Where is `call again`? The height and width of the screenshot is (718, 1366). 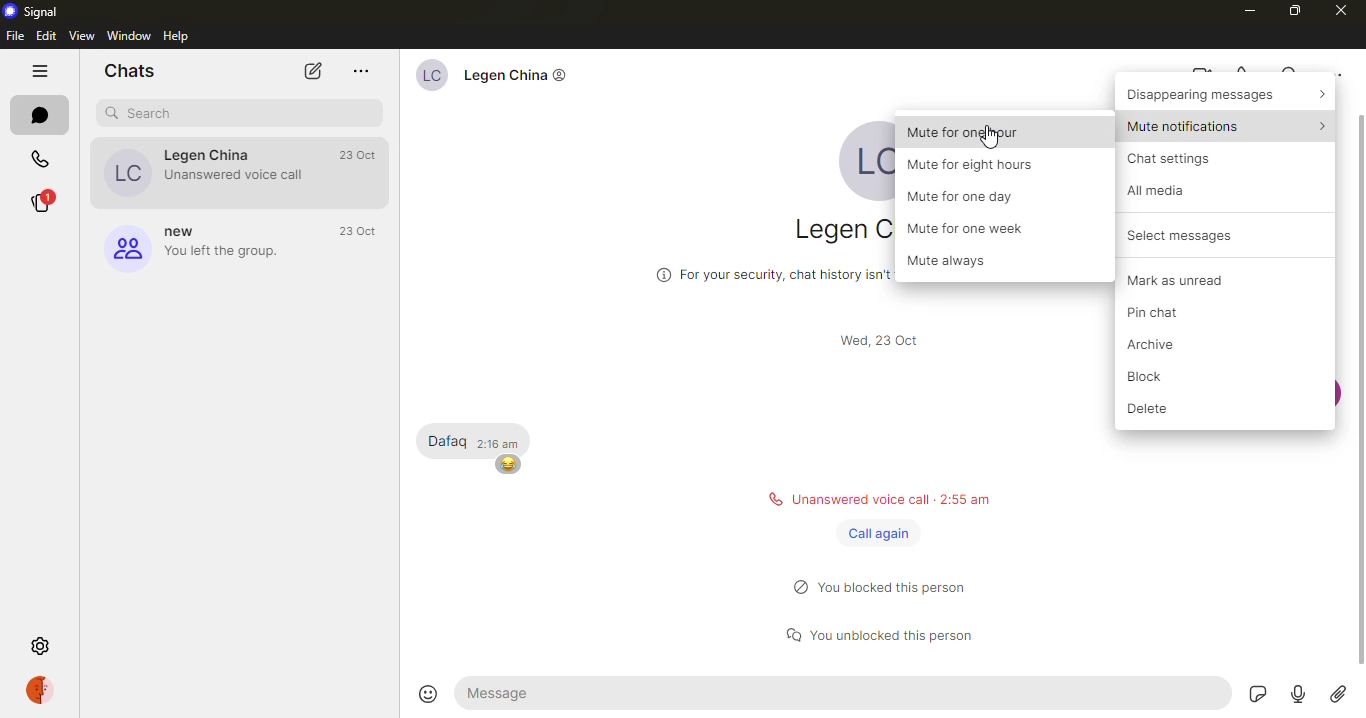 call again is located at coordinates (877, 533).